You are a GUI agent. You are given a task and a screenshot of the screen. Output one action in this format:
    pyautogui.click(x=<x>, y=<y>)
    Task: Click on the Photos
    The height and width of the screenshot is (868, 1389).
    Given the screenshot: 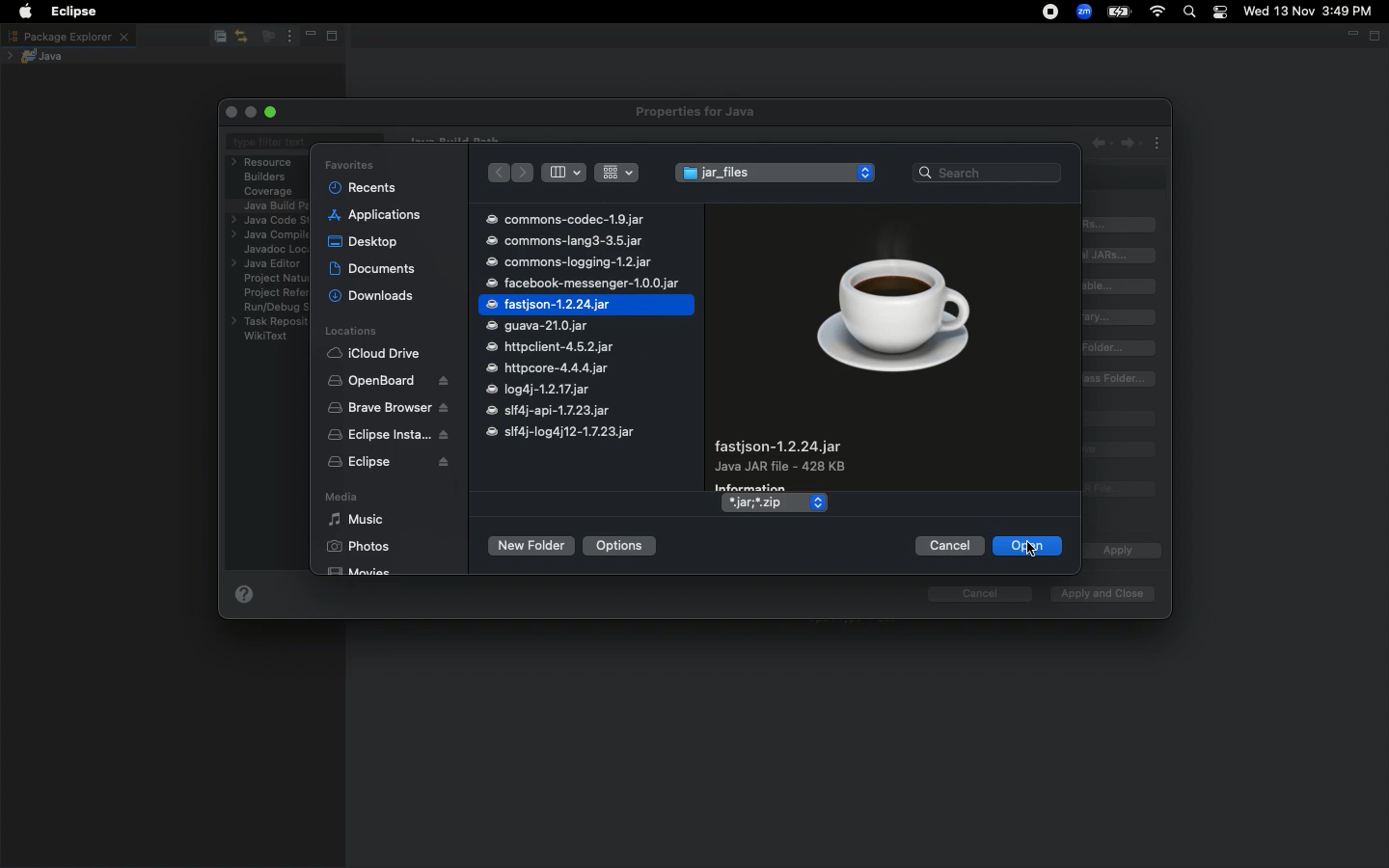 What is the action you would take?
    pyautogui.click(x=358, y=546)
    